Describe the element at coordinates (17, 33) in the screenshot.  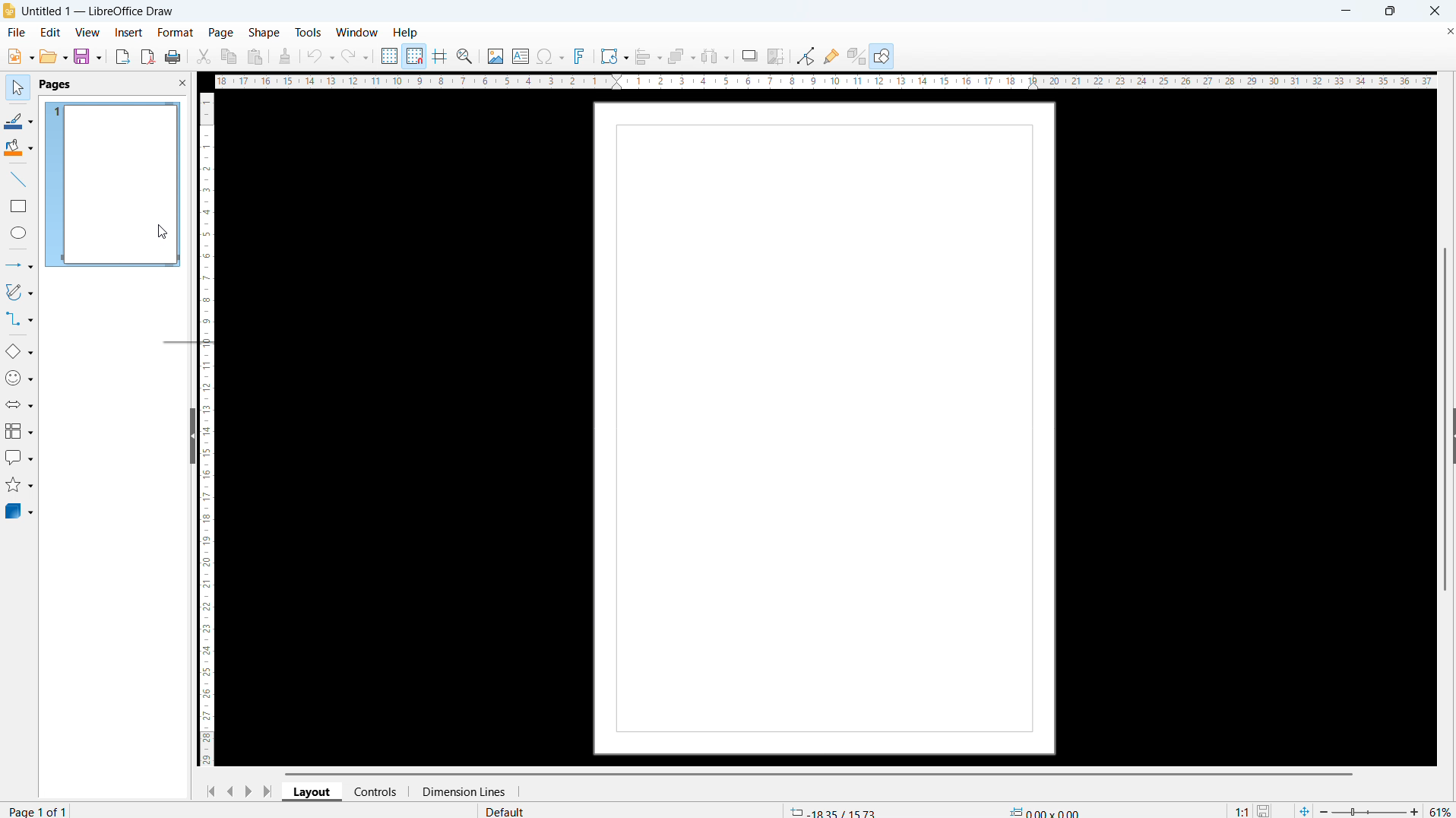
I see `file` at that location.